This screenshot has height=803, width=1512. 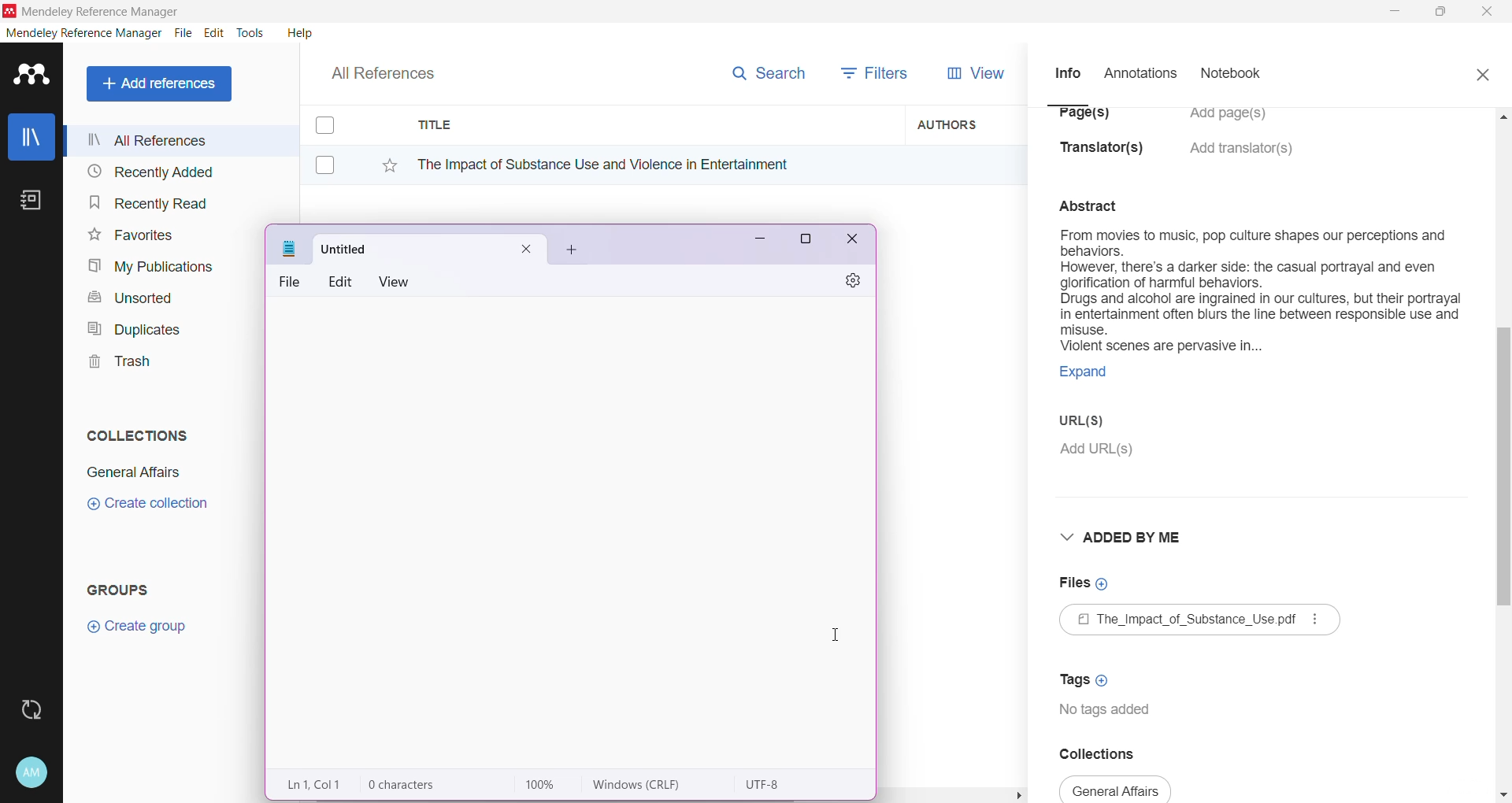 I want to click on abstract, so click(x=1098, y=204).